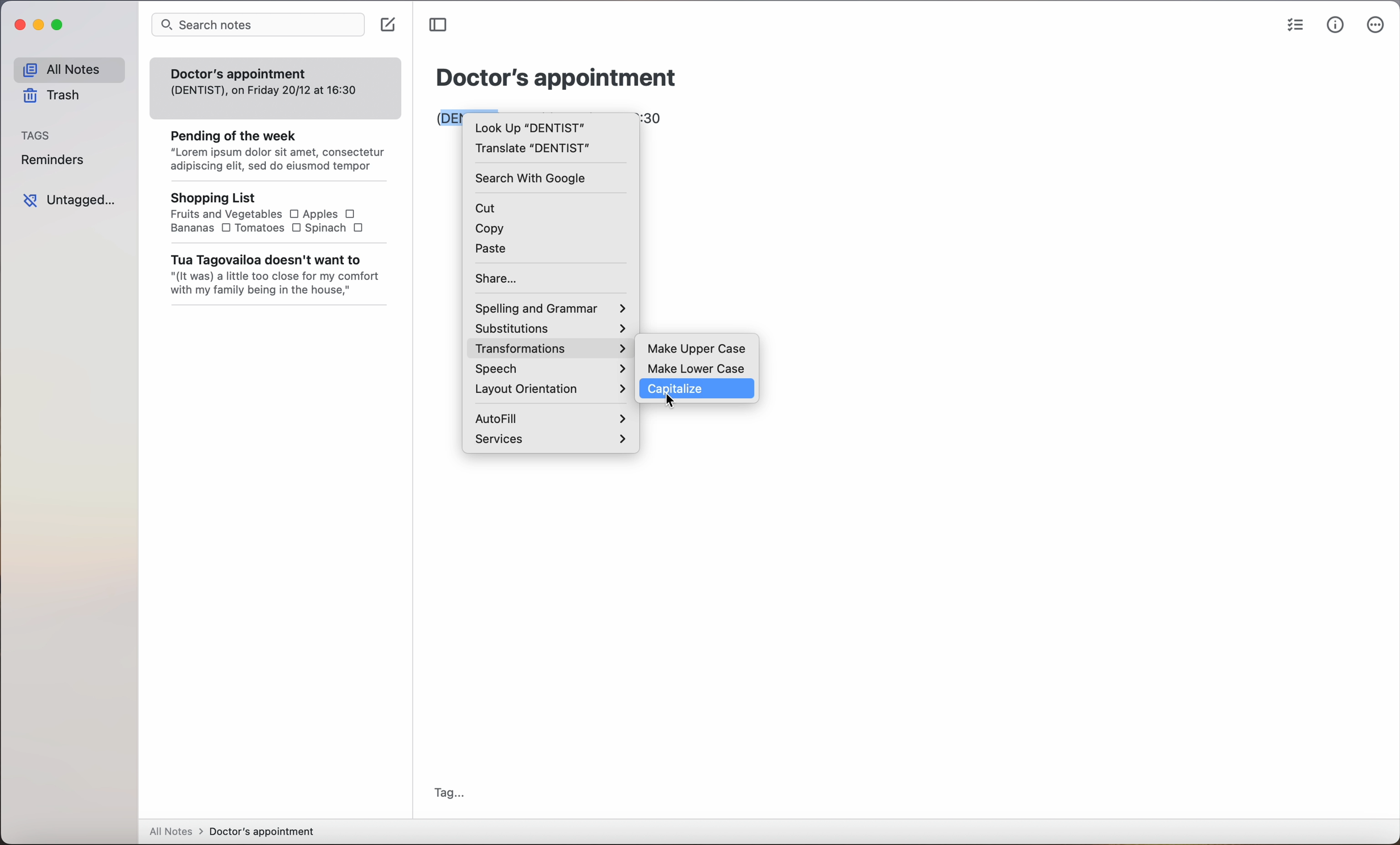 The image size is (1400, 845). What do you see at coordinates (1374, 28) in the screenshot?
I see `more options` at bounding box center [1374, 28].